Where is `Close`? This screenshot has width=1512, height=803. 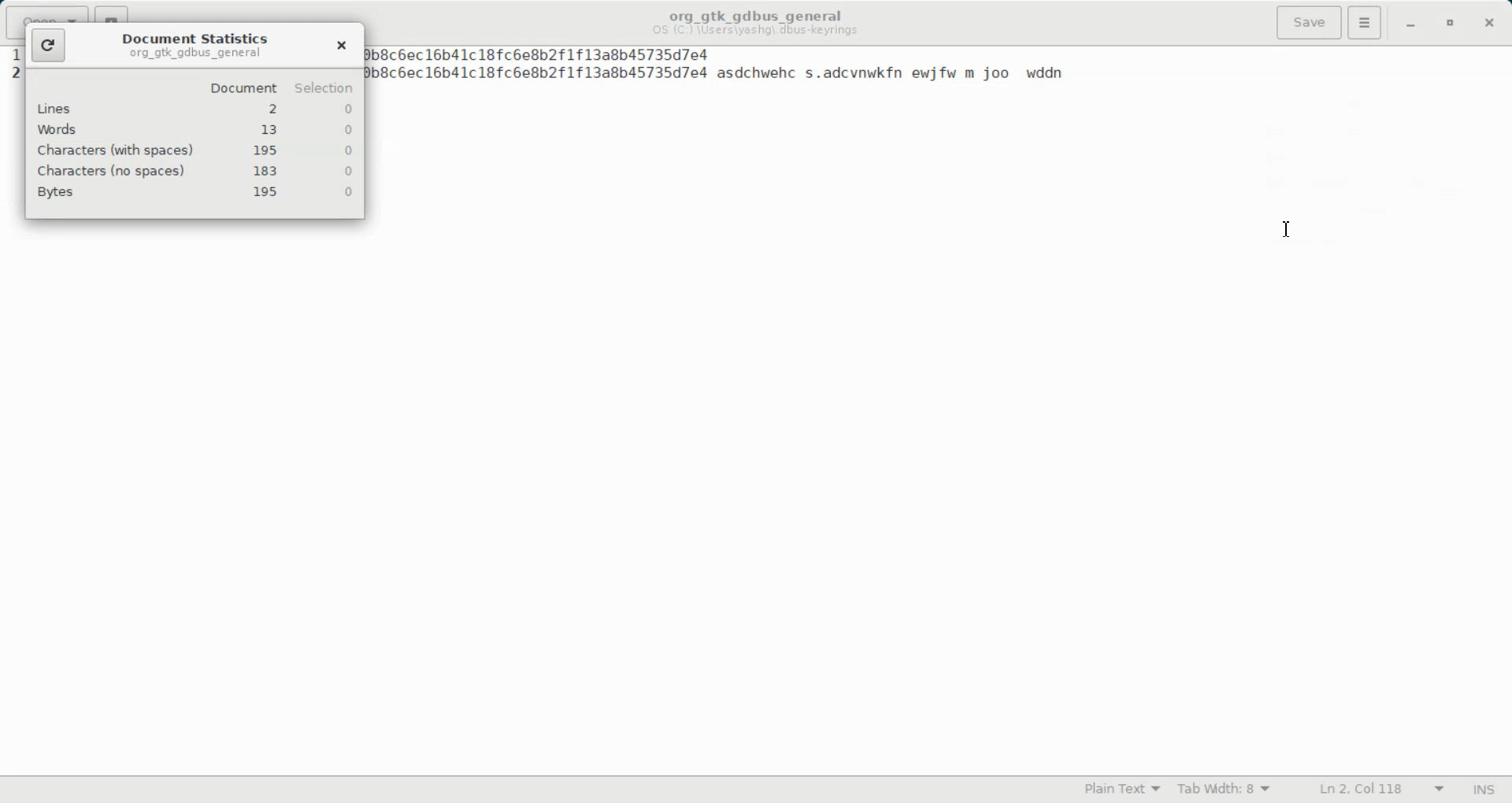
Close is located at coordinates (339, 46).